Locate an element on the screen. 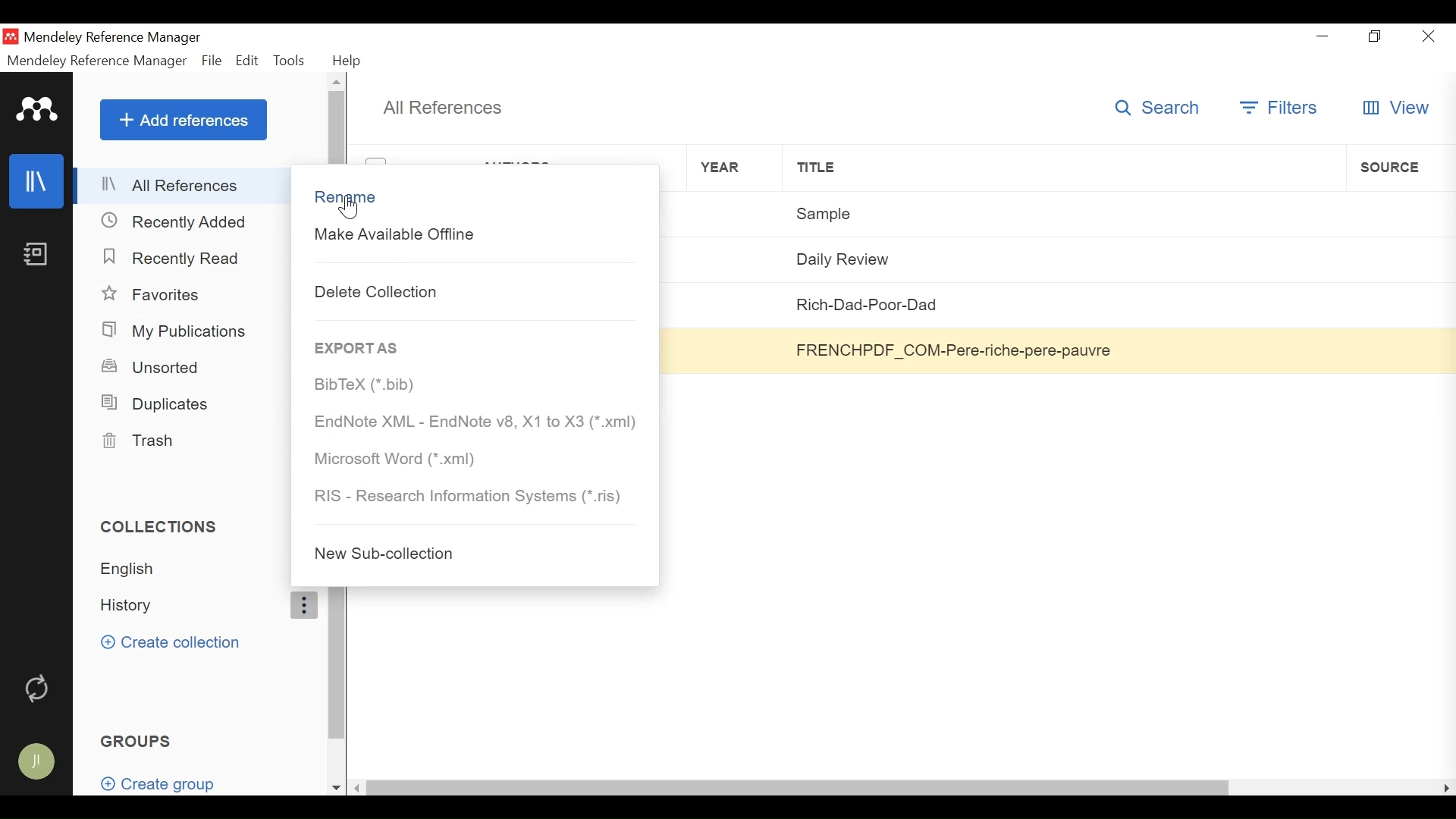 The height and width of the screenshot is (819, 1456). Title is located at coordinates (1063, 168).